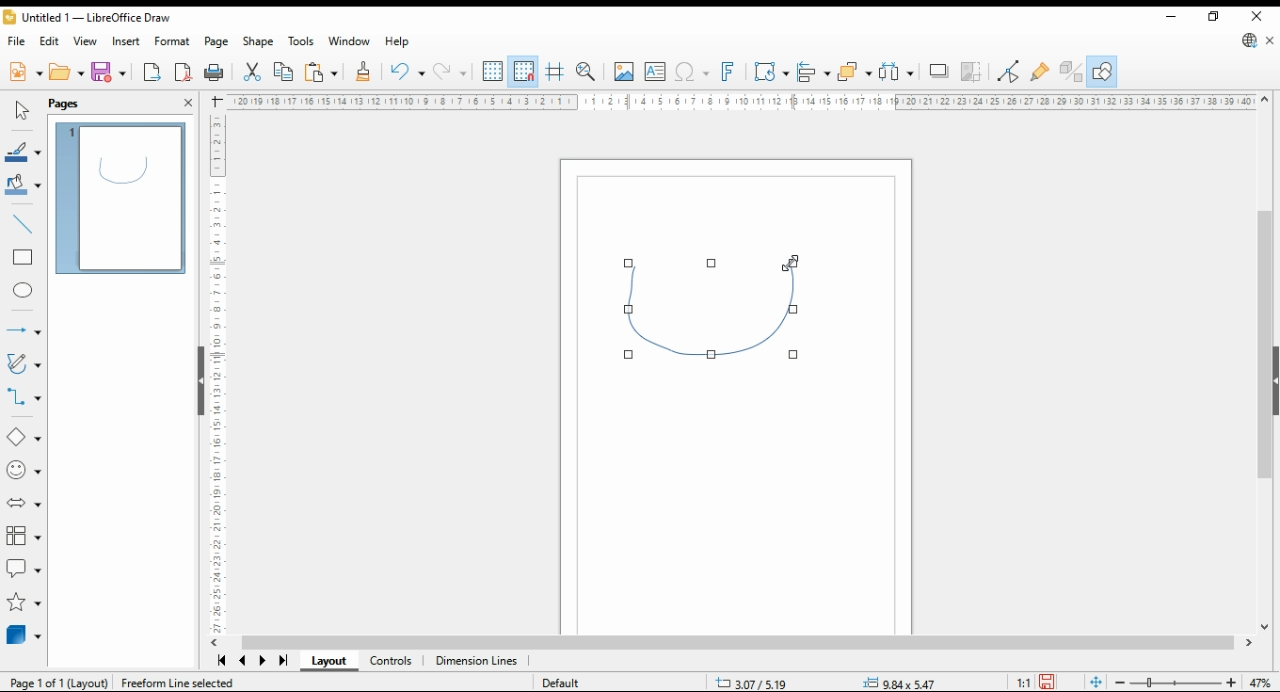 The height and width of the screenshot is (692, 1280). I want to click on restore, so click(1215, 16).